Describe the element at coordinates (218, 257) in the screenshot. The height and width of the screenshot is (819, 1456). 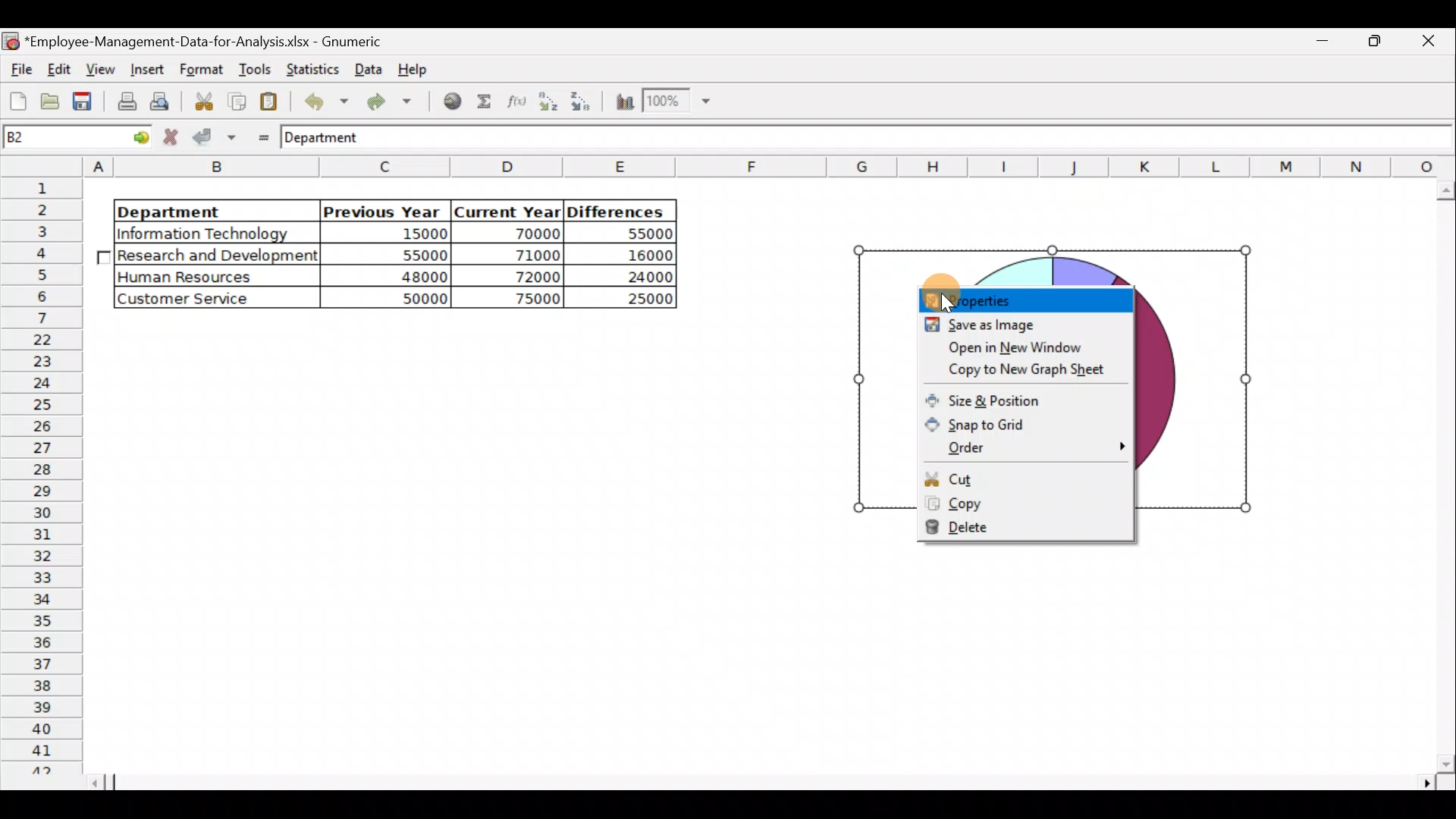
I see `Research and Development` at that location.